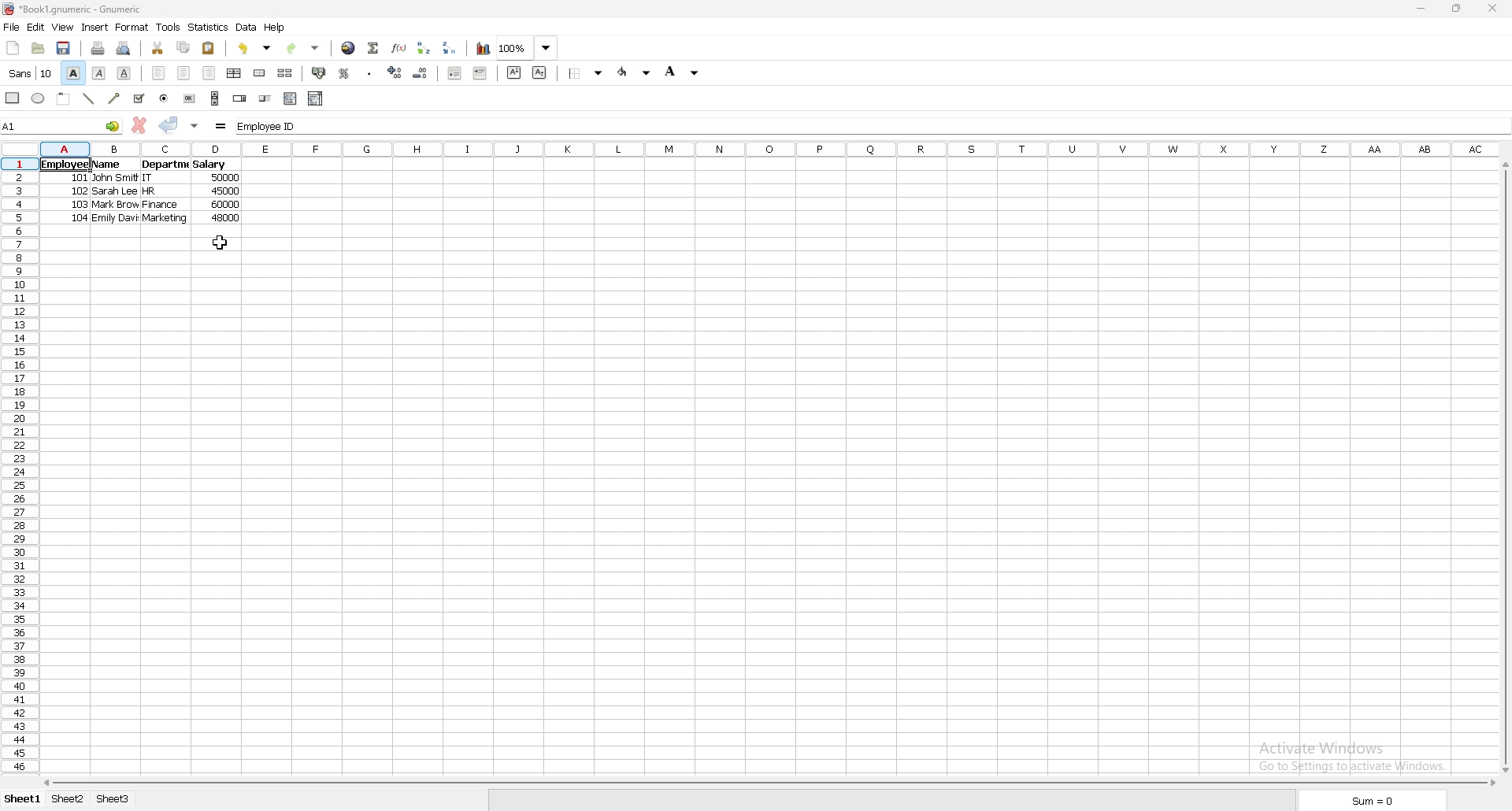  I want to click on border, so click(586, 73).